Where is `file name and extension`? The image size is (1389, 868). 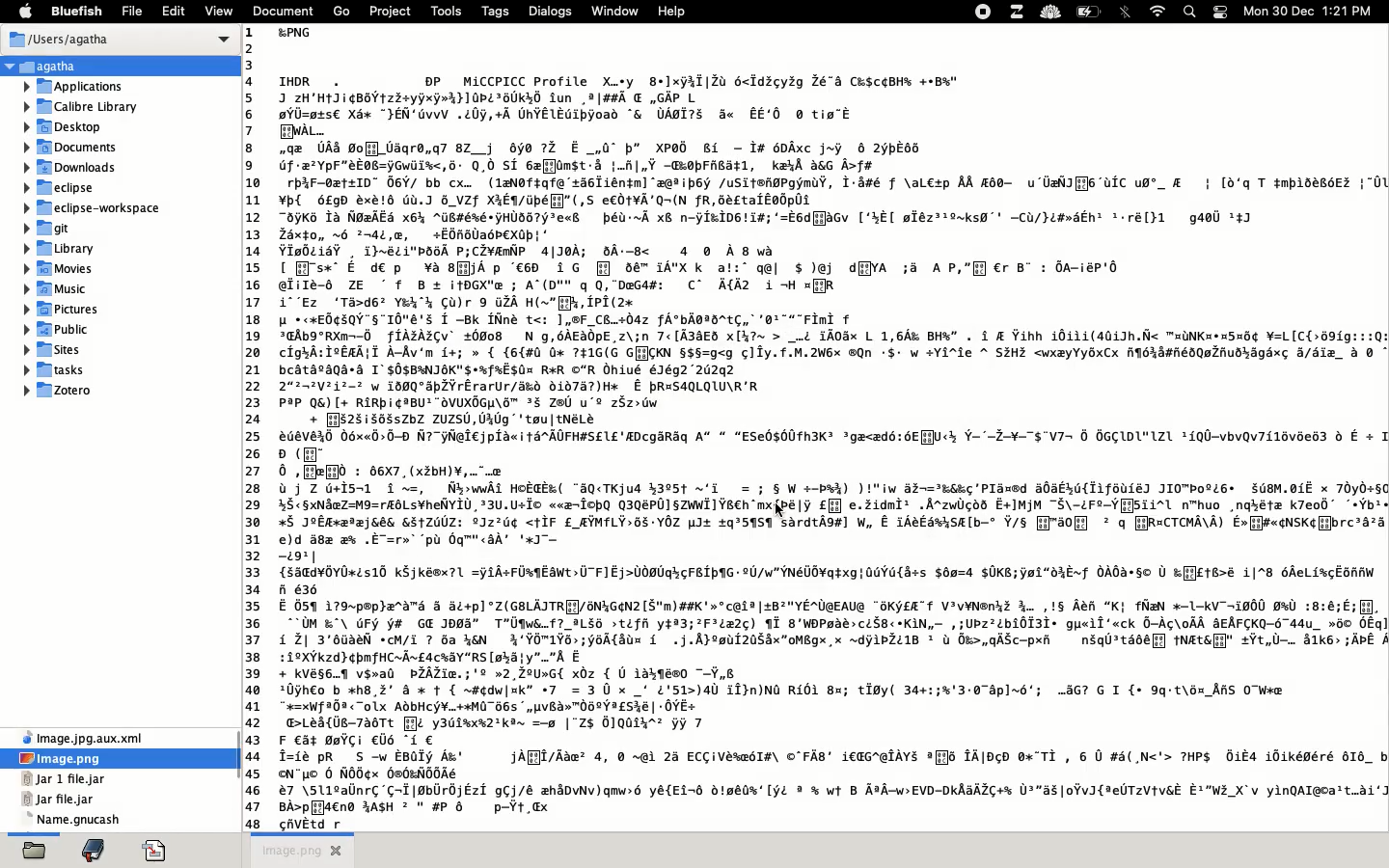
file name and extension is located at coordinates (67, 780).